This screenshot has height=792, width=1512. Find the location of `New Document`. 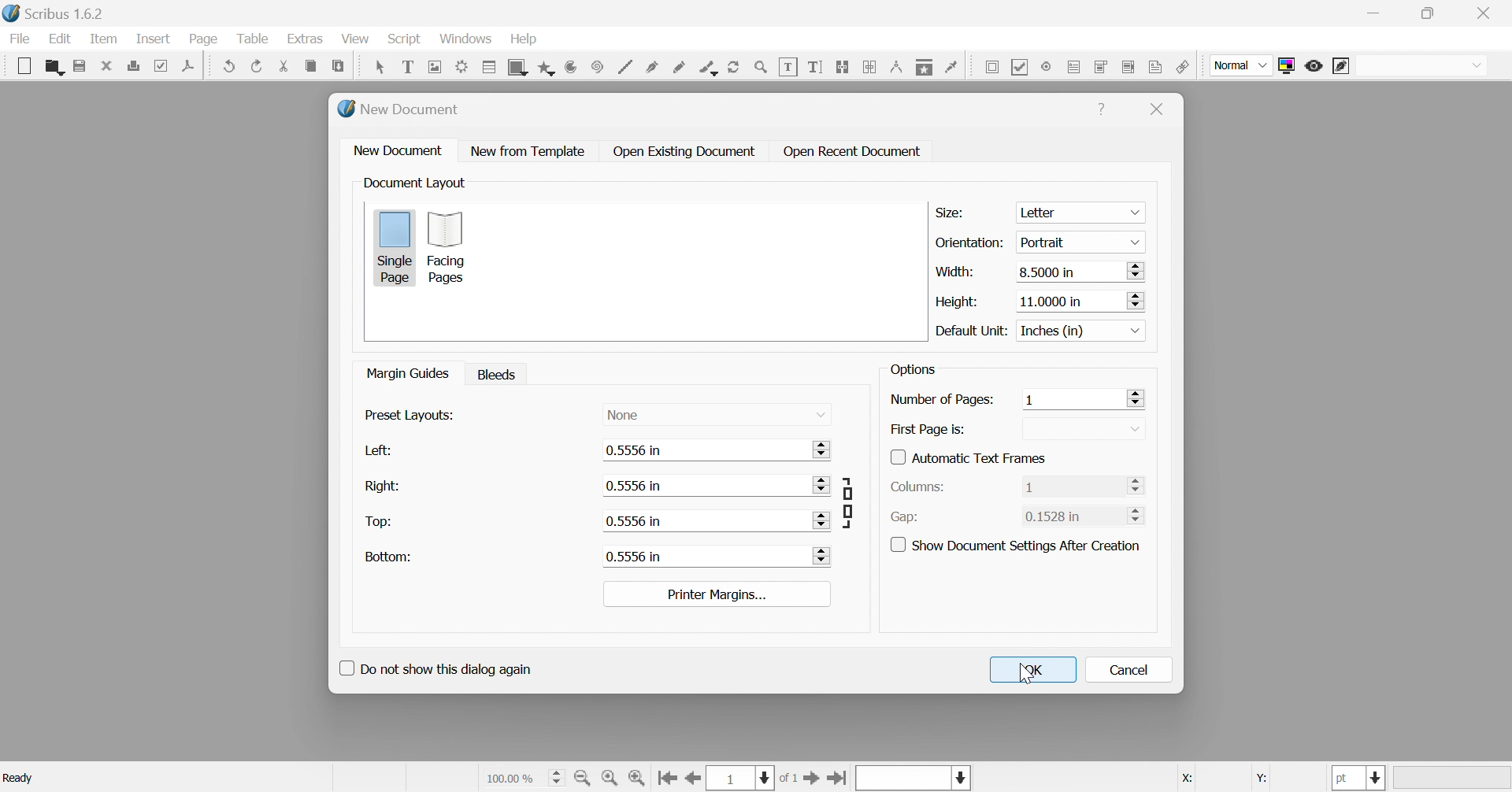

New Document is located at coordinates (396, 111).